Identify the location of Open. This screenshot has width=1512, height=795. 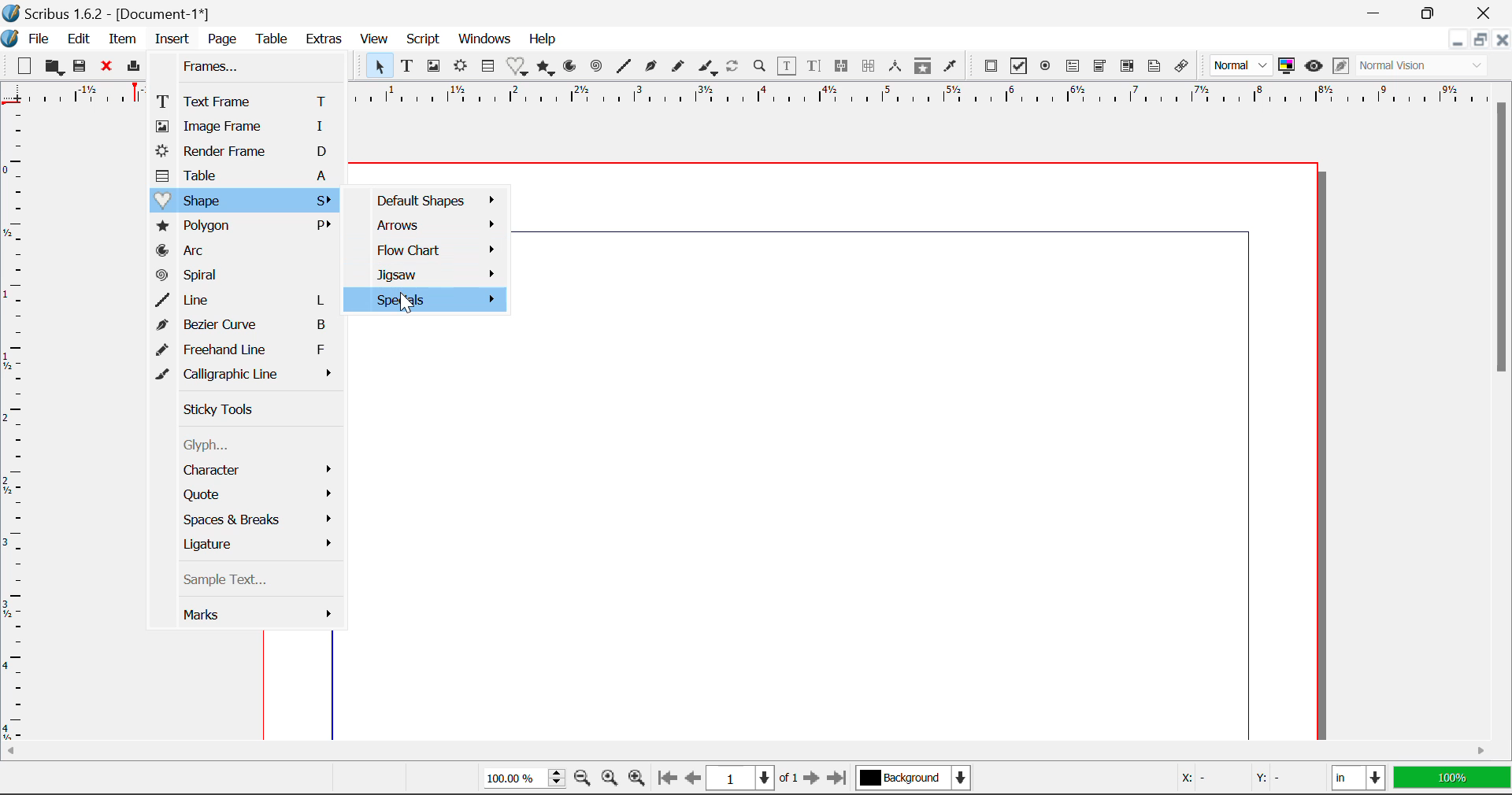
(55, 67).